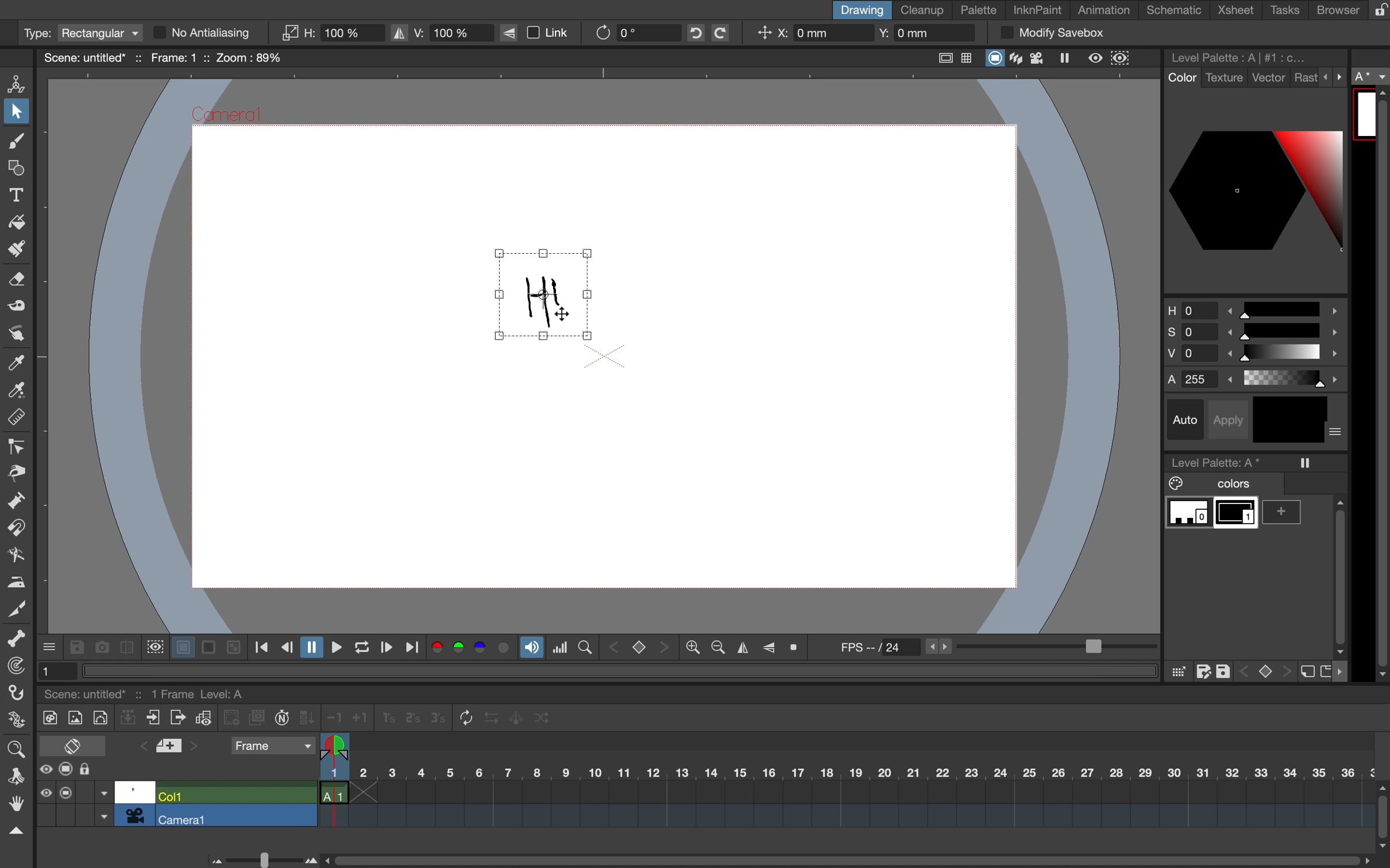 The width and height of the screenshot is (1390, 868). I want to click on colors, so click(472, 649).